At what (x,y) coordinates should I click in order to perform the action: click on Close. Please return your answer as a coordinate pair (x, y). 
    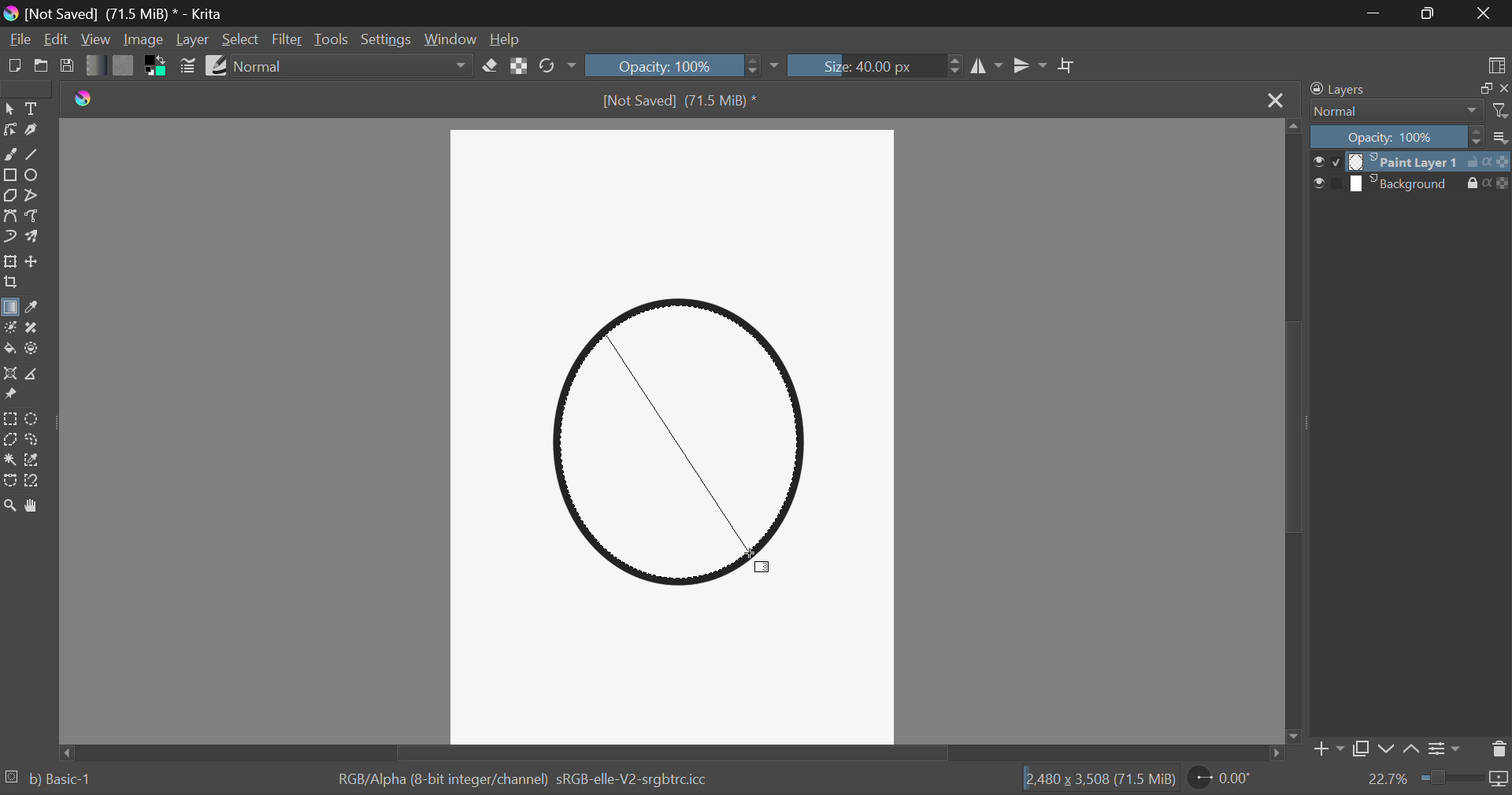
    Looking at the image, I should click on (1276, 102).